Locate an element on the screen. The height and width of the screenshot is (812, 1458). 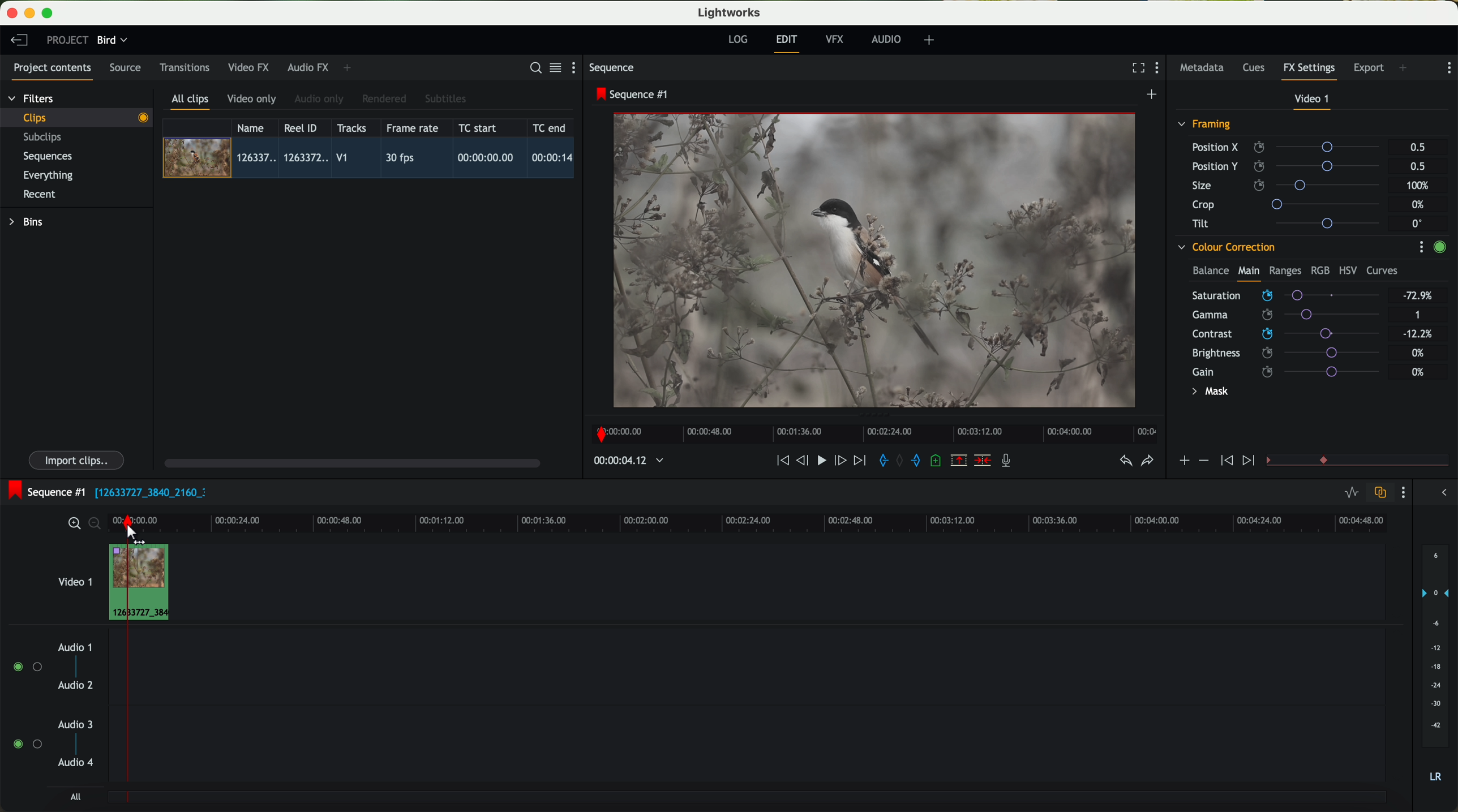
move foward is located at coordinates (859, 461).